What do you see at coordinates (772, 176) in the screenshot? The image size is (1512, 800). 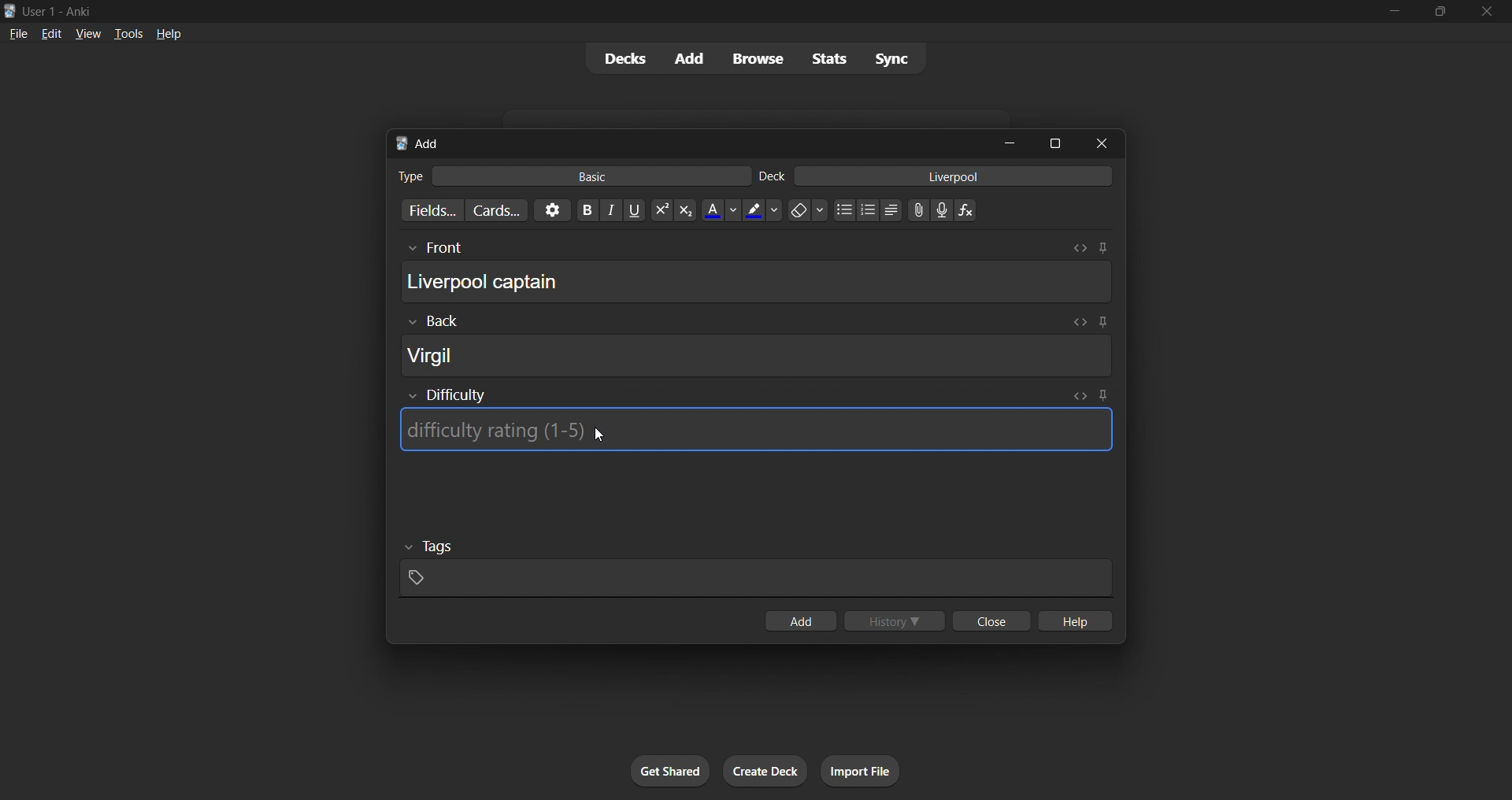 I see `Text` at bounding box center [772, 176].